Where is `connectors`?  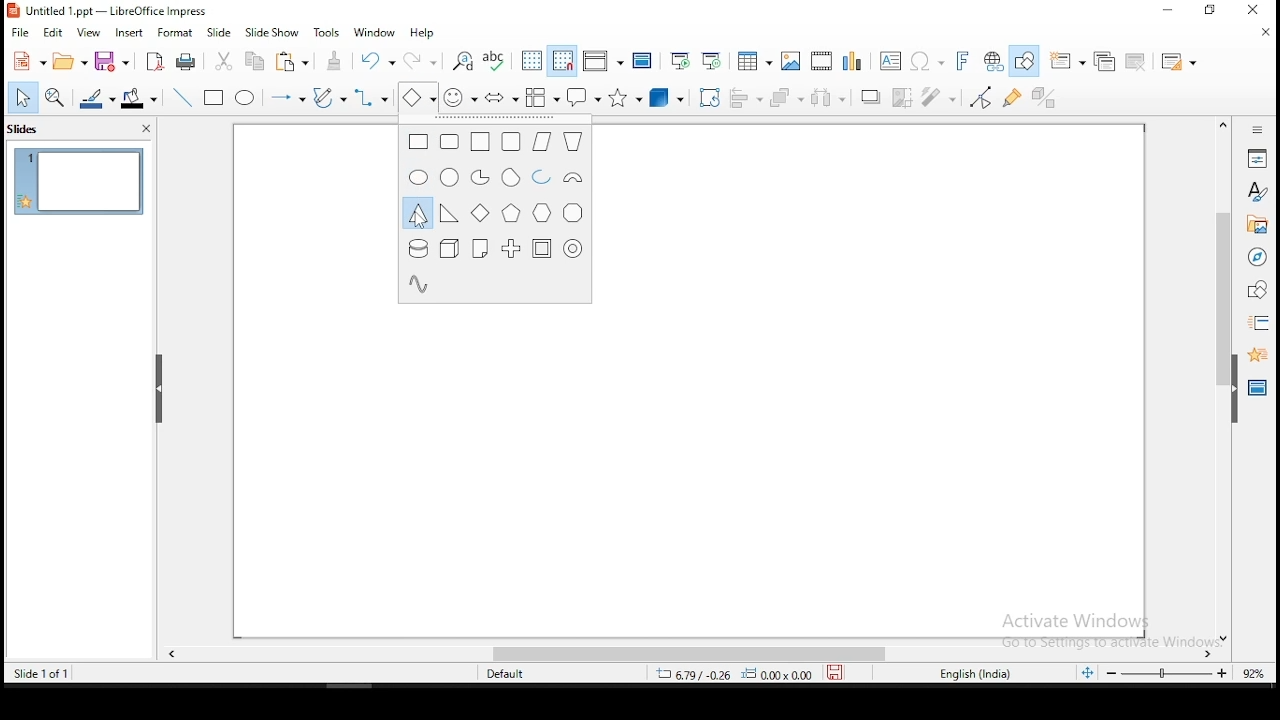
connectors is located at coordinates (371, 98).